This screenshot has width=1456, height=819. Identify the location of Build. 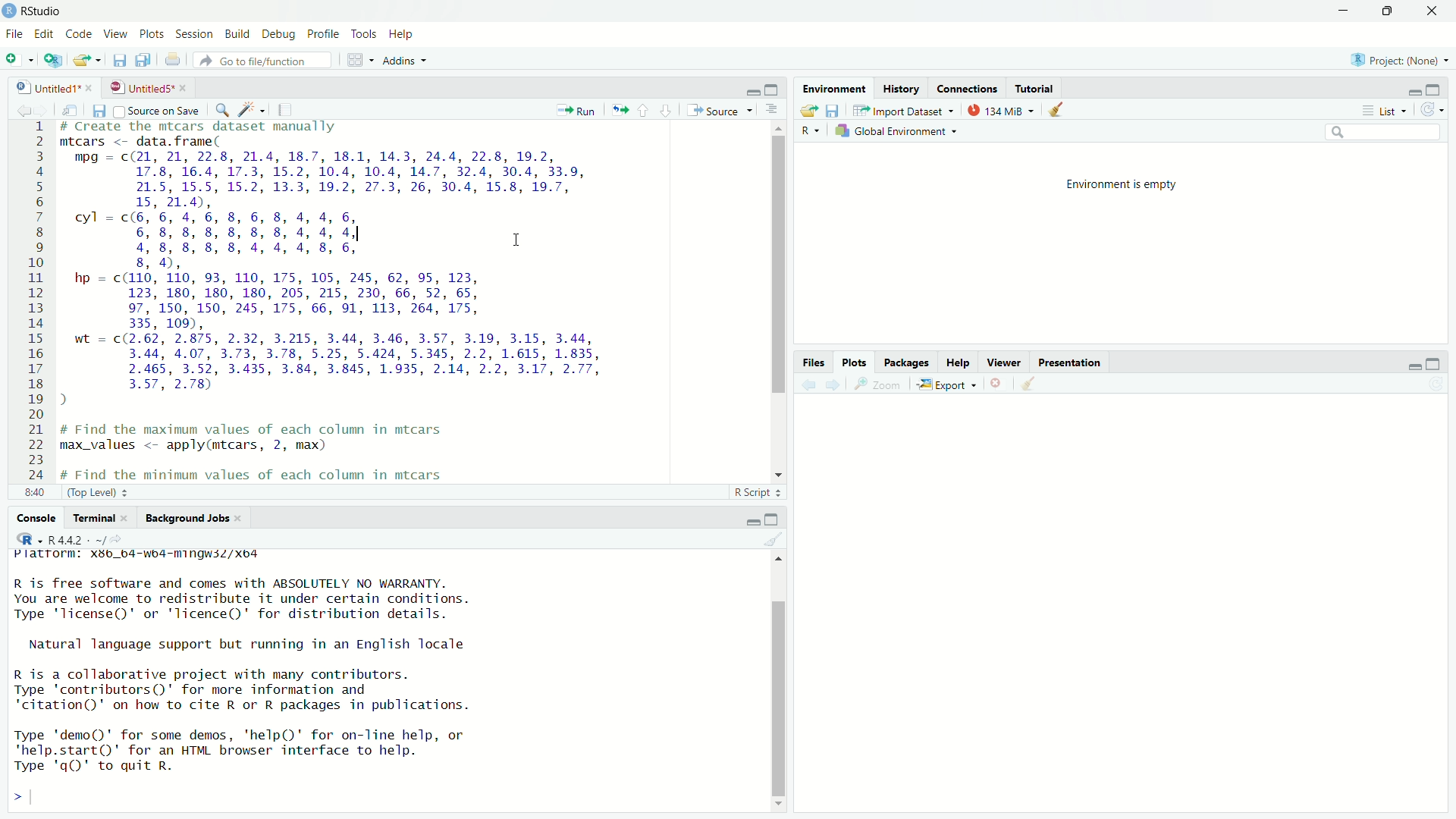
(237, 34).